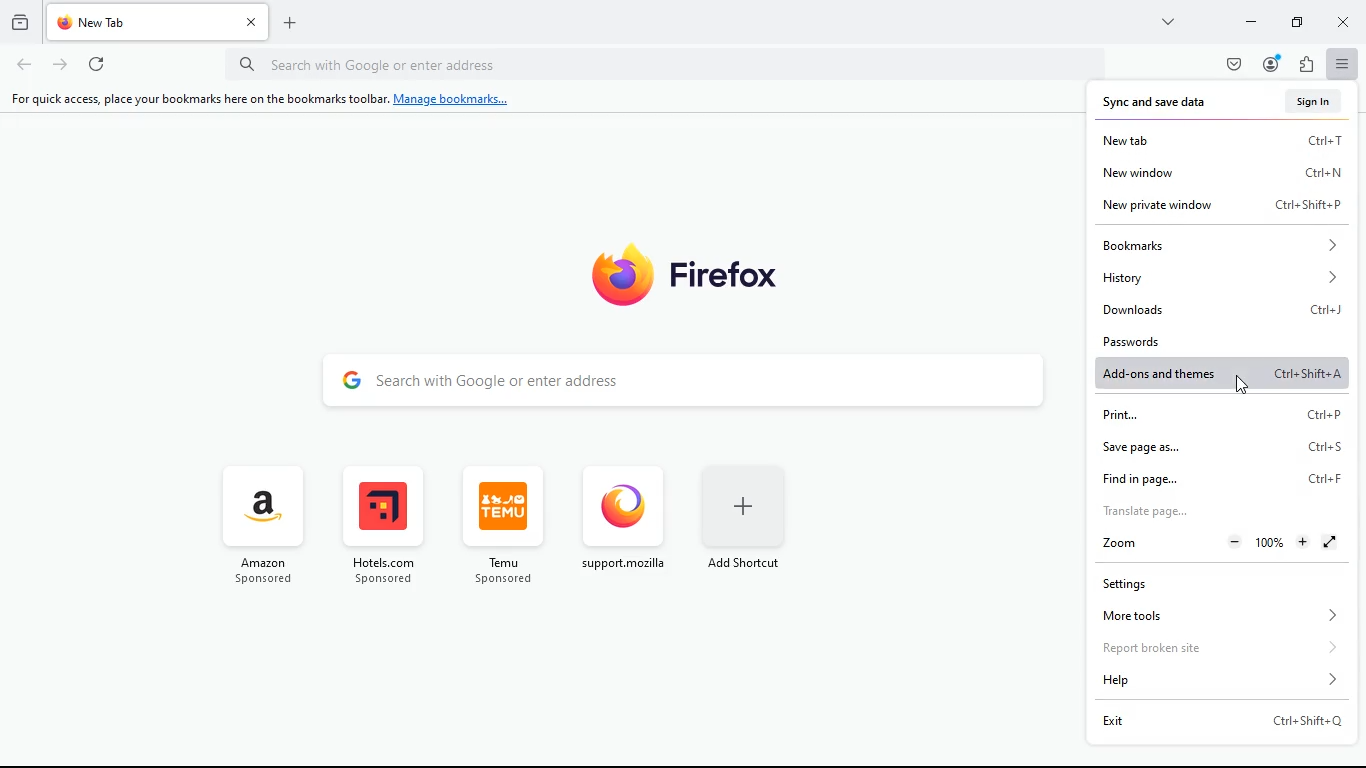 The image size is (1366, 768). I want to click on new tab  ctrl+t, so click(1224, 137).